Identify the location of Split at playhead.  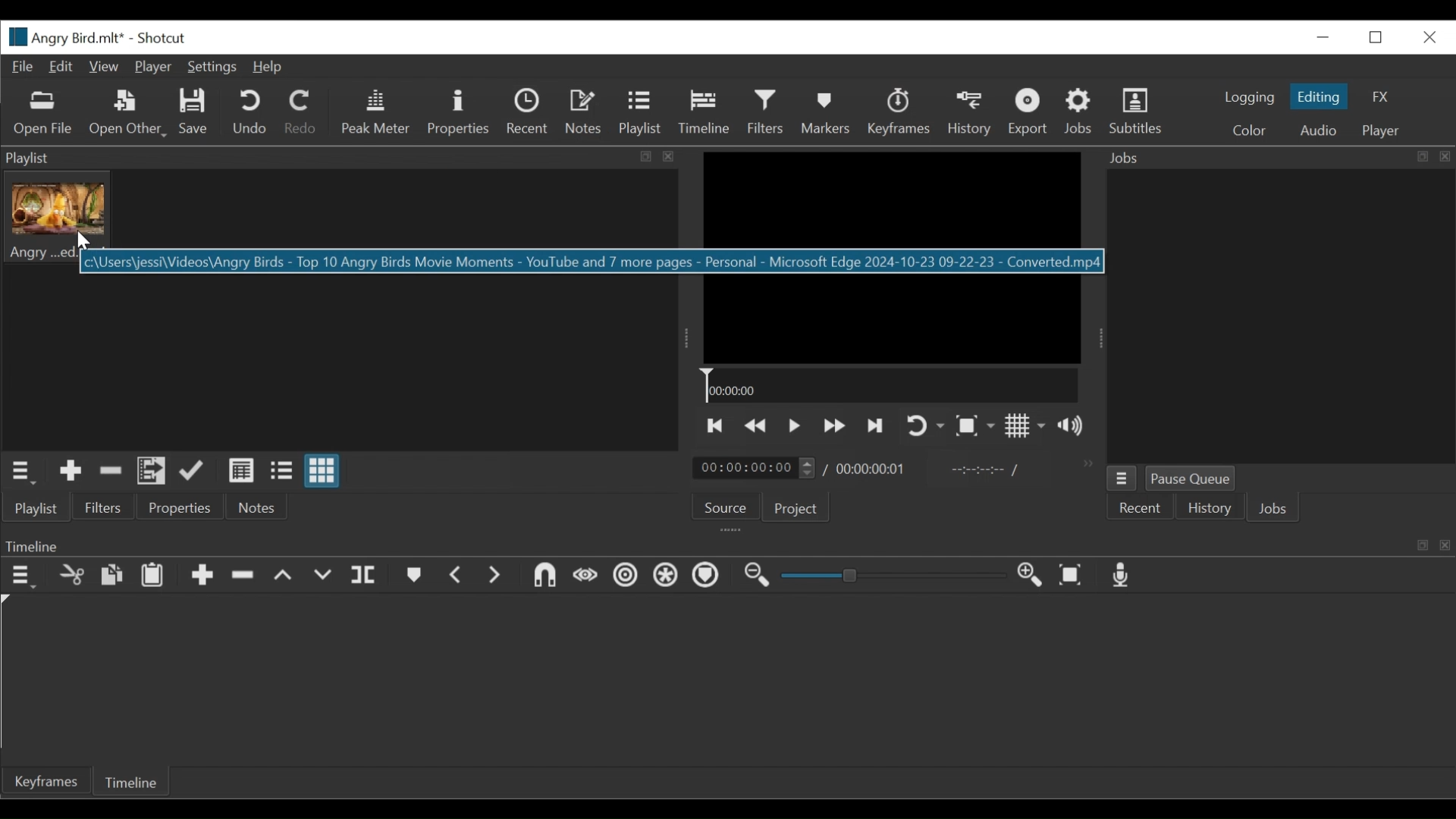
(368, 575).